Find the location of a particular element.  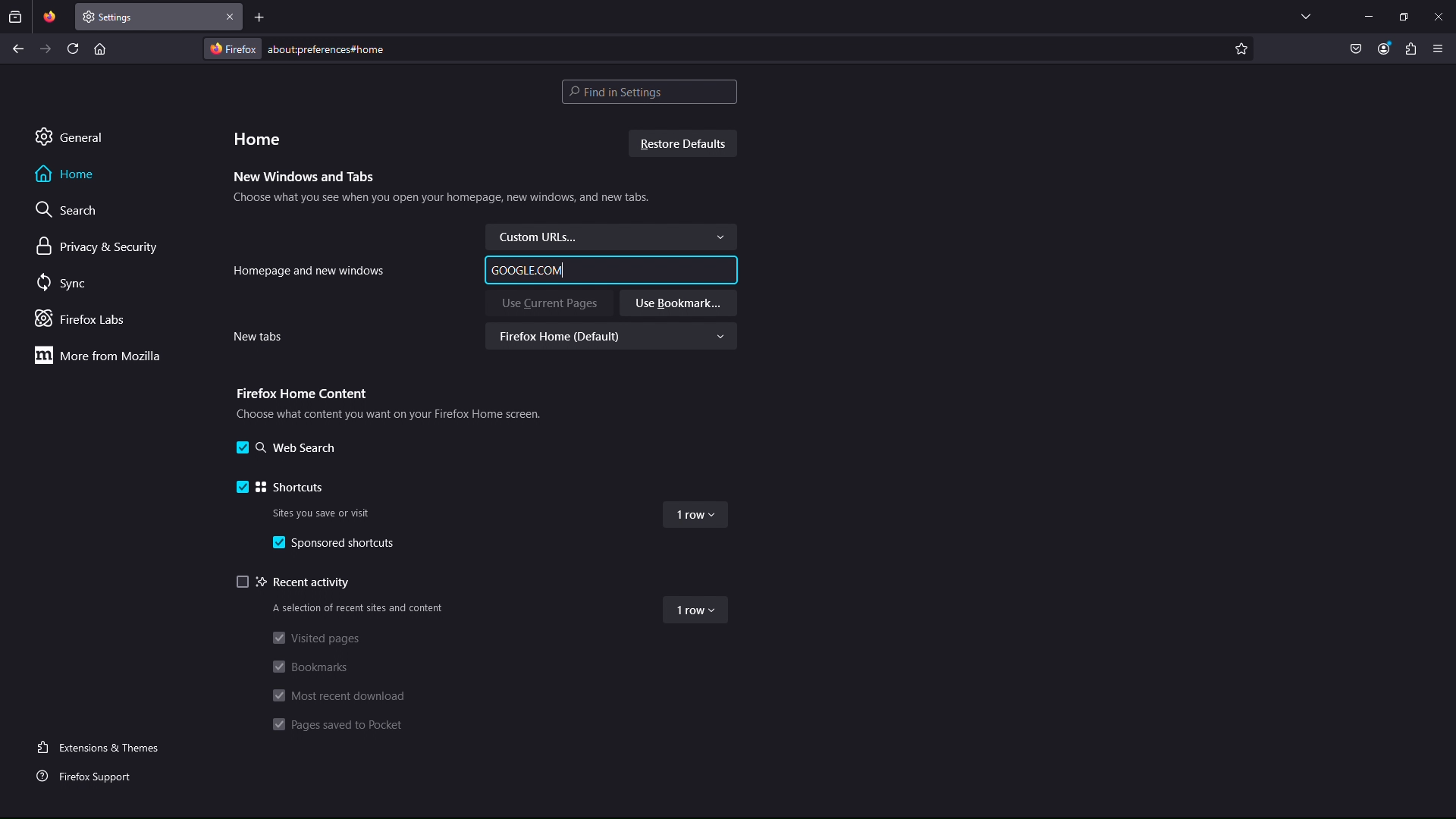

Use Current Pages is located at coordinates (549, 303).